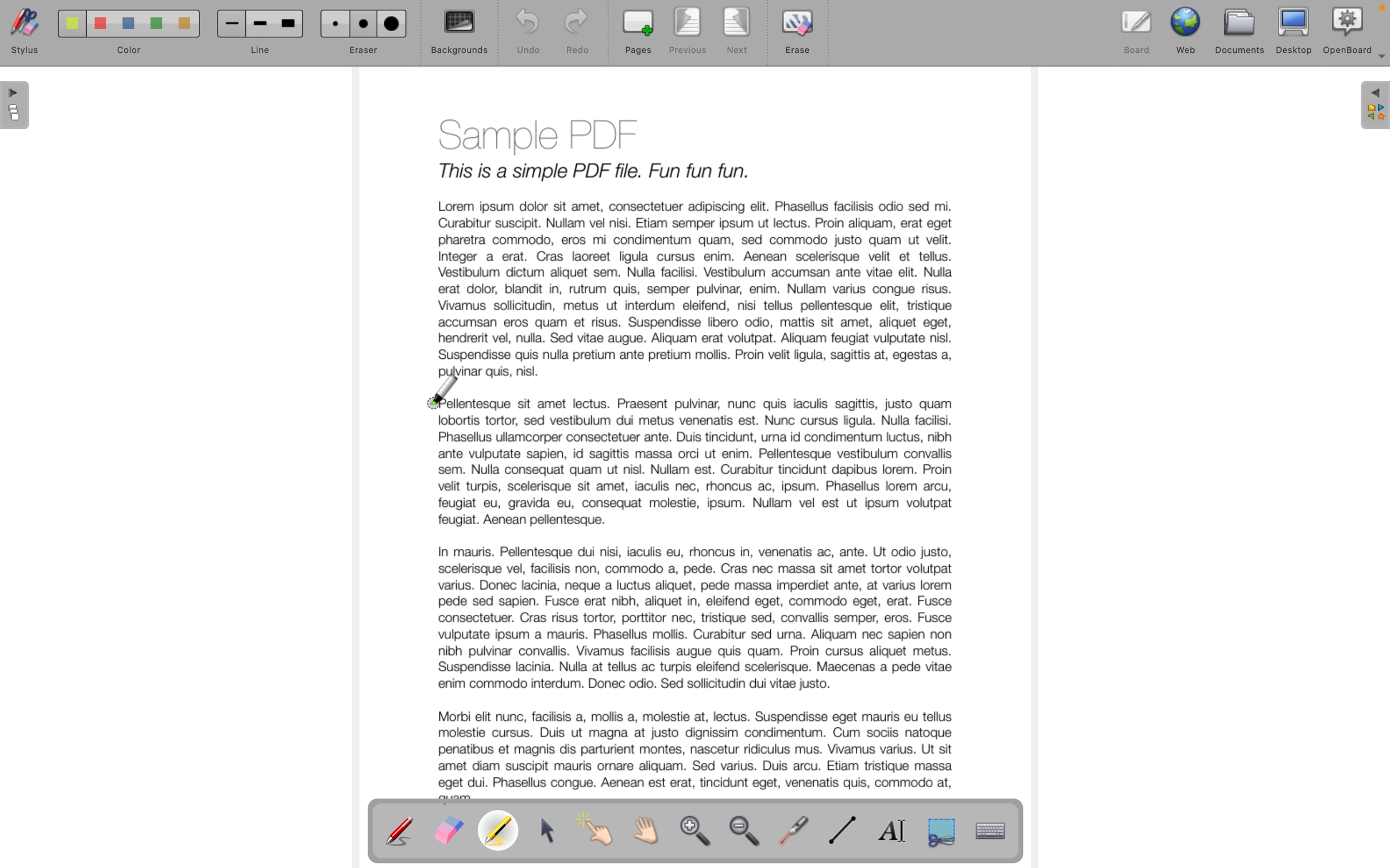 Image resolution: width=1390 pixels, height=868 pixels. What do you see at coordinates (1241, 30) in the screenshot?
I see `documents` at bounding box center [1241, 30].